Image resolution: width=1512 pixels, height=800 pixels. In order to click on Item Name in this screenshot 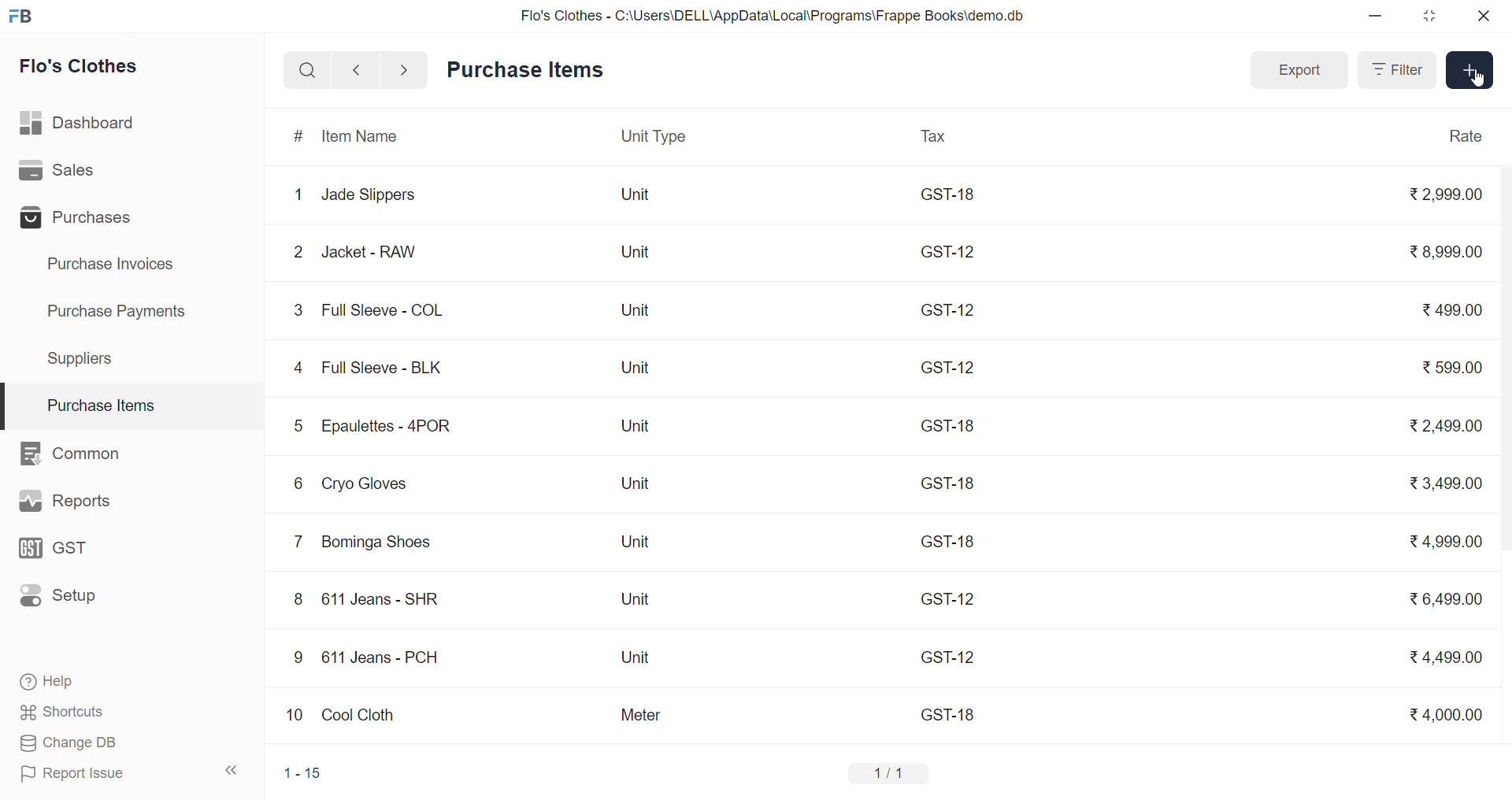, I will do `click(369, 136)`.